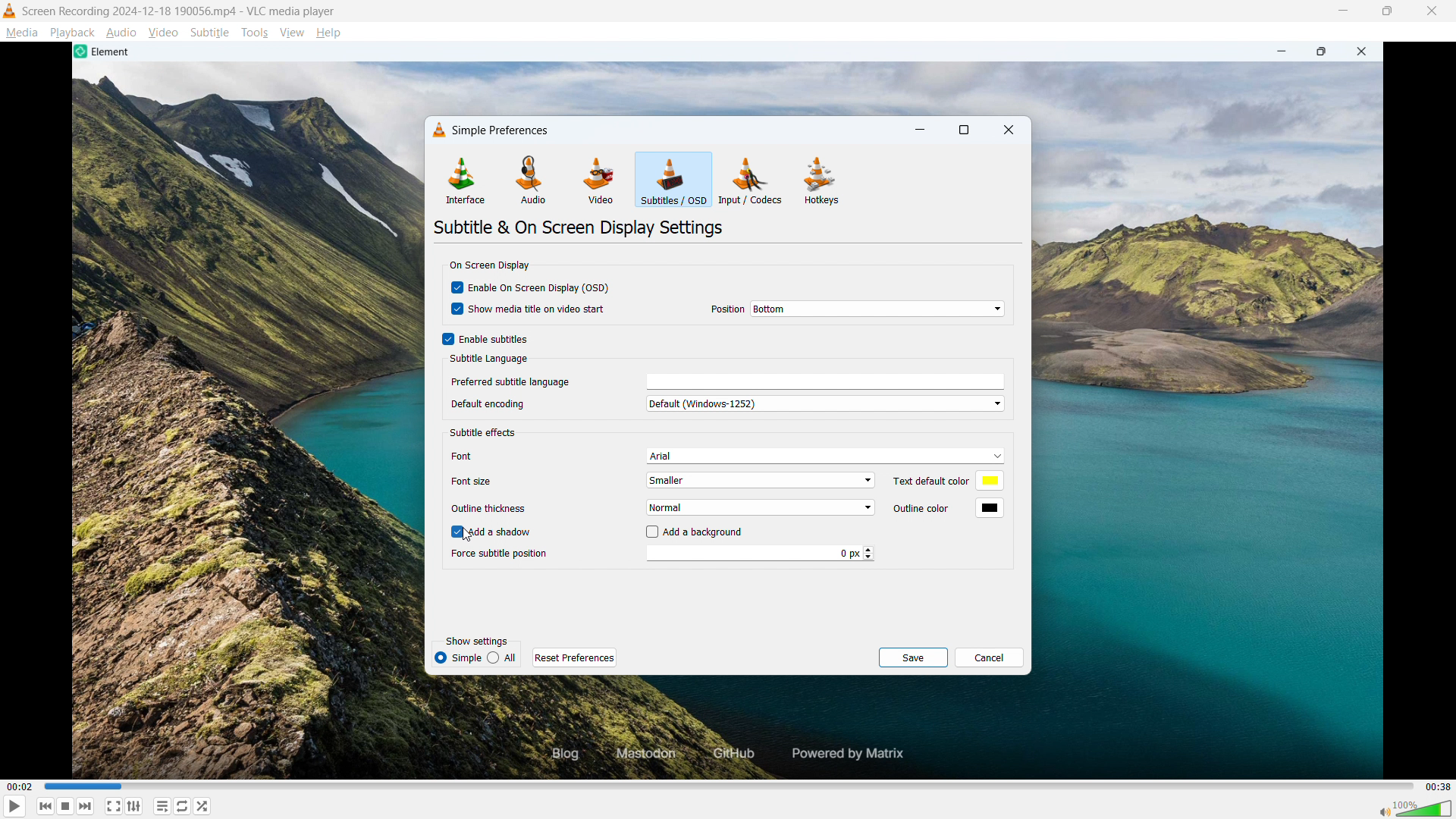 The width and height of the screenshot is (1456, 819). I want to click on minimize, so click(1278, 52).